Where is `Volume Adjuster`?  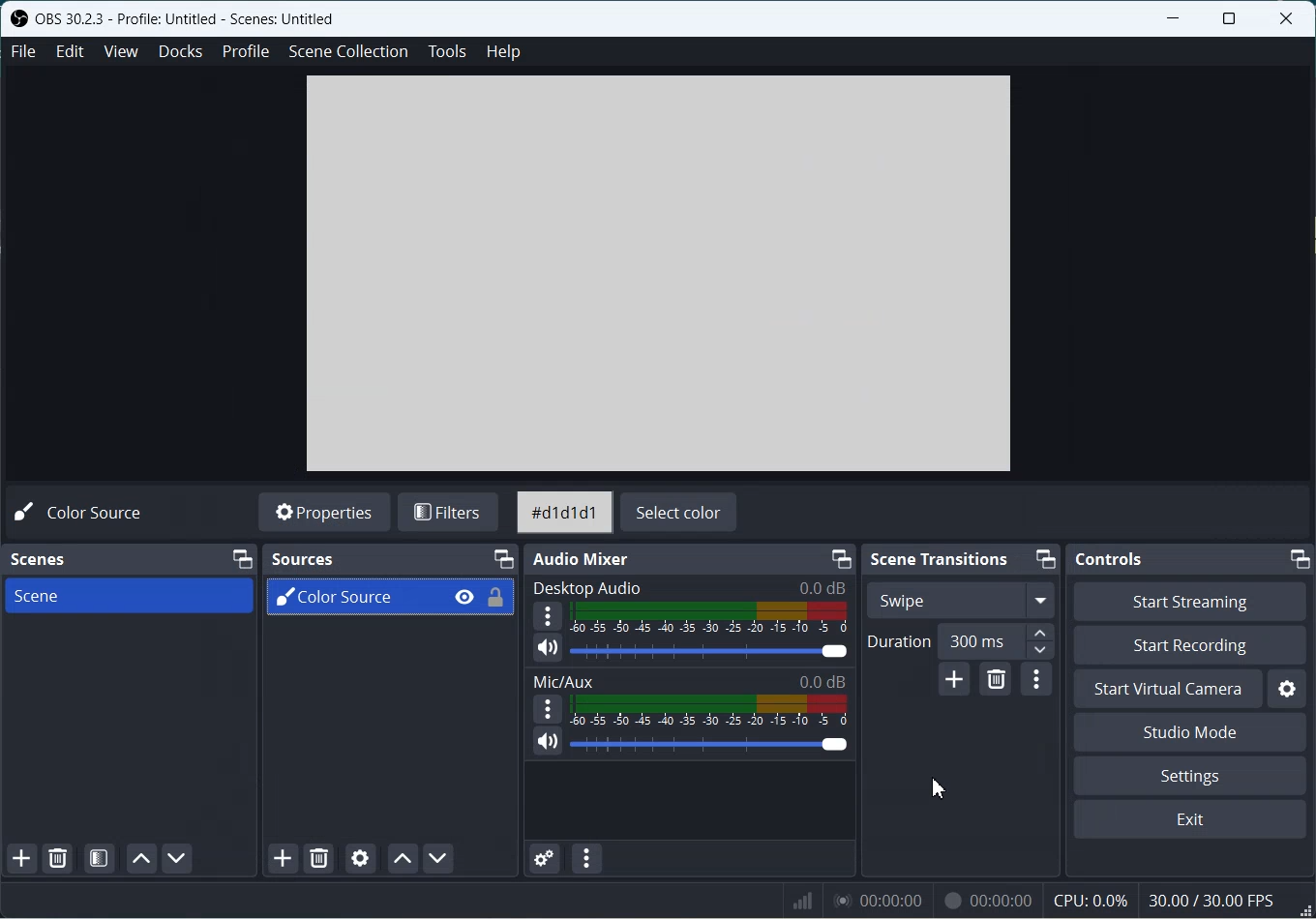 Volume Adjuster is located at coordinates (710, 745).